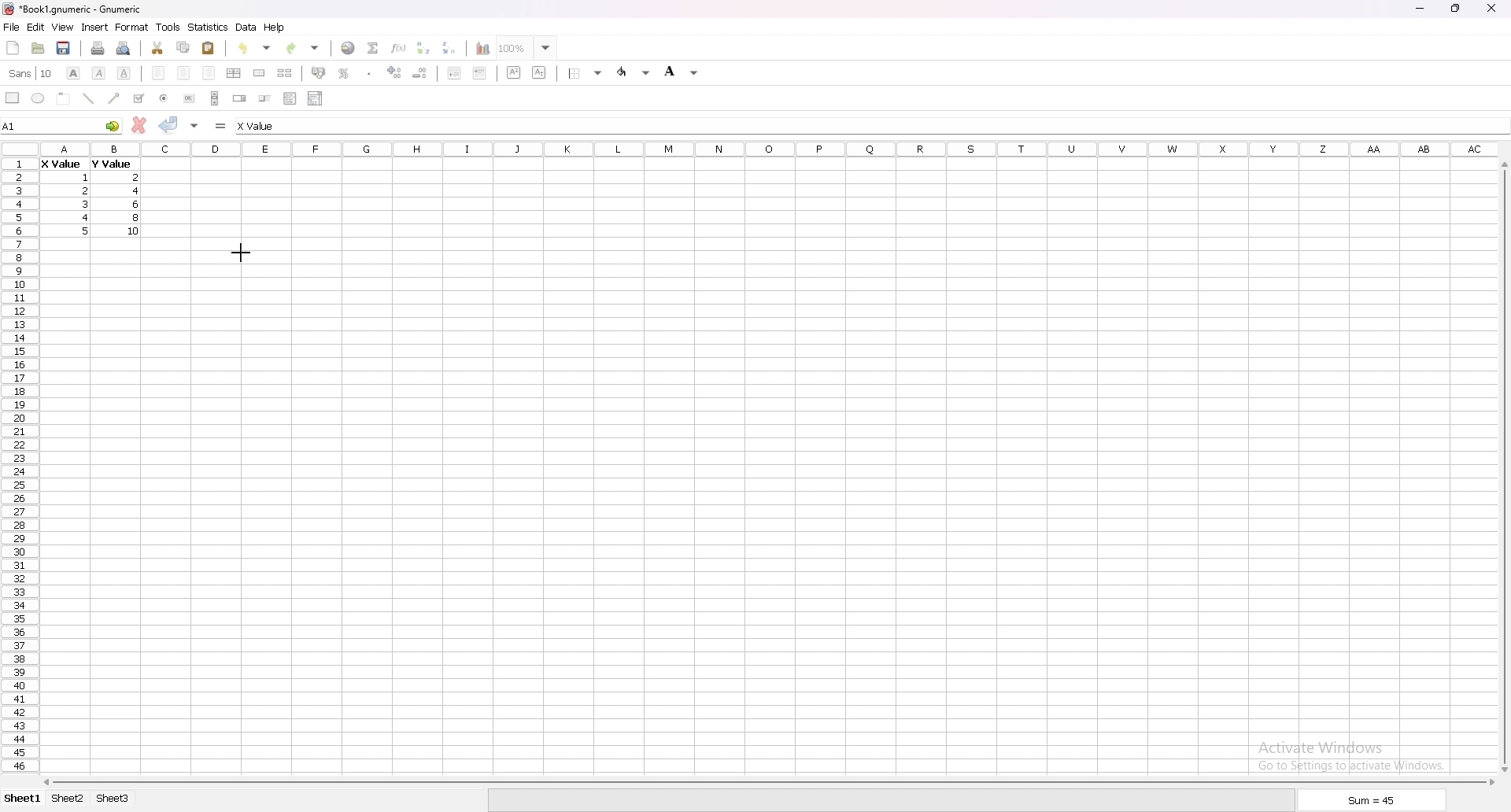  I want to click on view, so click(62, 28).